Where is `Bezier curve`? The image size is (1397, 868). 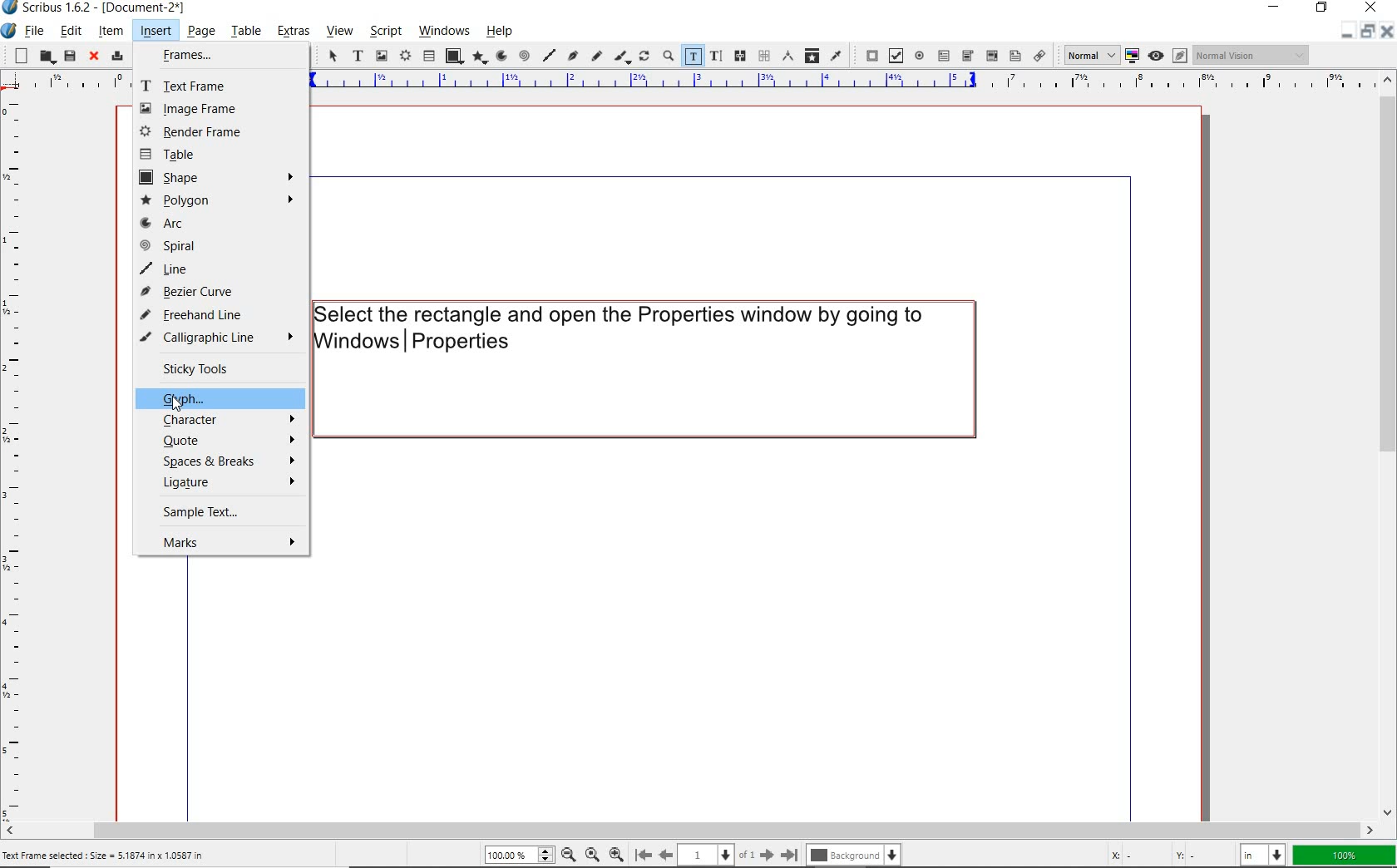
Bezier curve is located at coordinates (573, 57).